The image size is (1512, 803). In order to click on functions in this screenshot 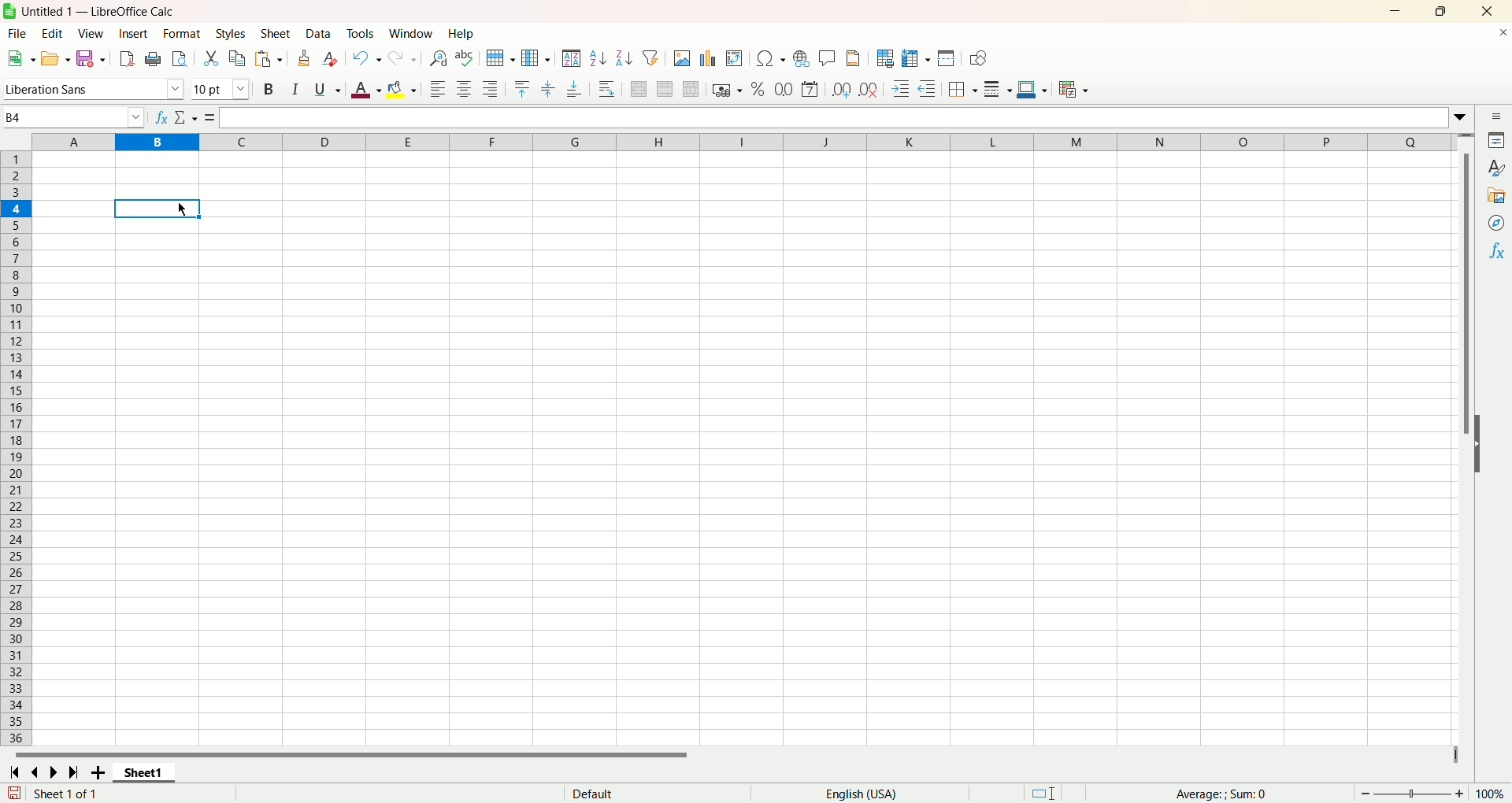, I will do `click(1499, 250)`.